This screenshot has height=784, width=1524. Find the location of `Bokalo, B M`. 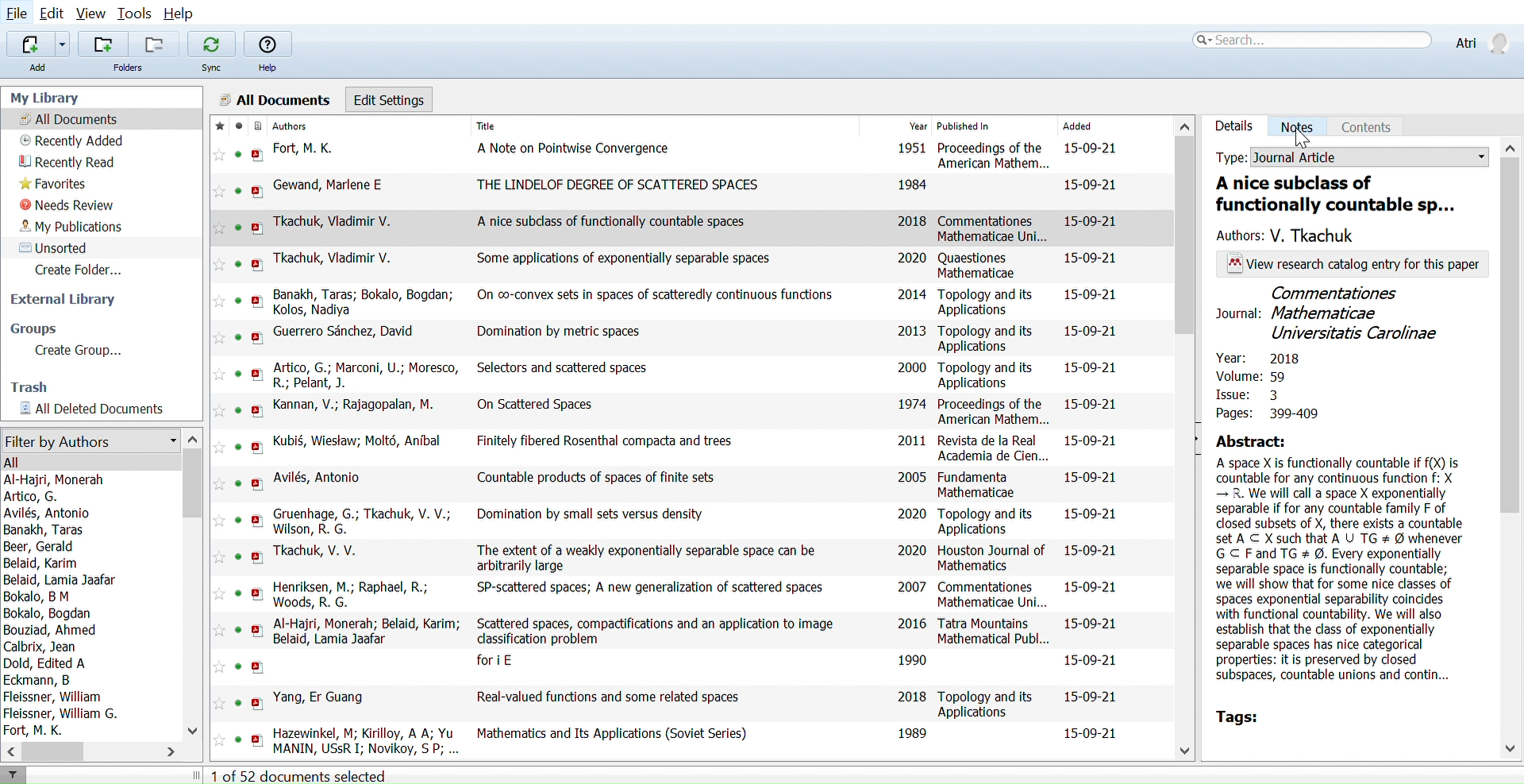

Bokalo, B M is located at coordinates (36, 597).